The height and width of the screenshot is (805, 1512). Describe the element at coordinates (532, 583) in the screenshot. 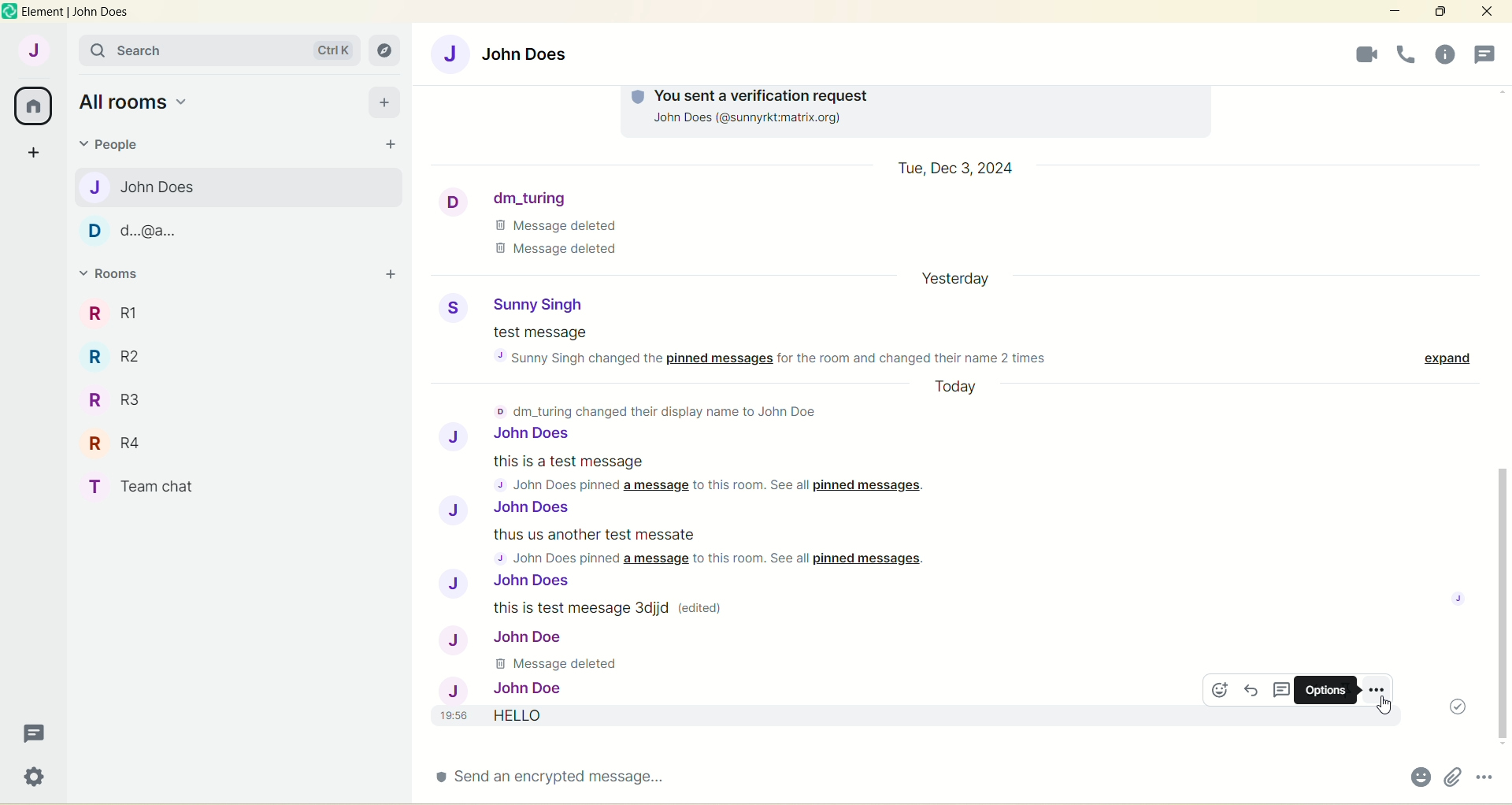

I see `John Does` at that location.